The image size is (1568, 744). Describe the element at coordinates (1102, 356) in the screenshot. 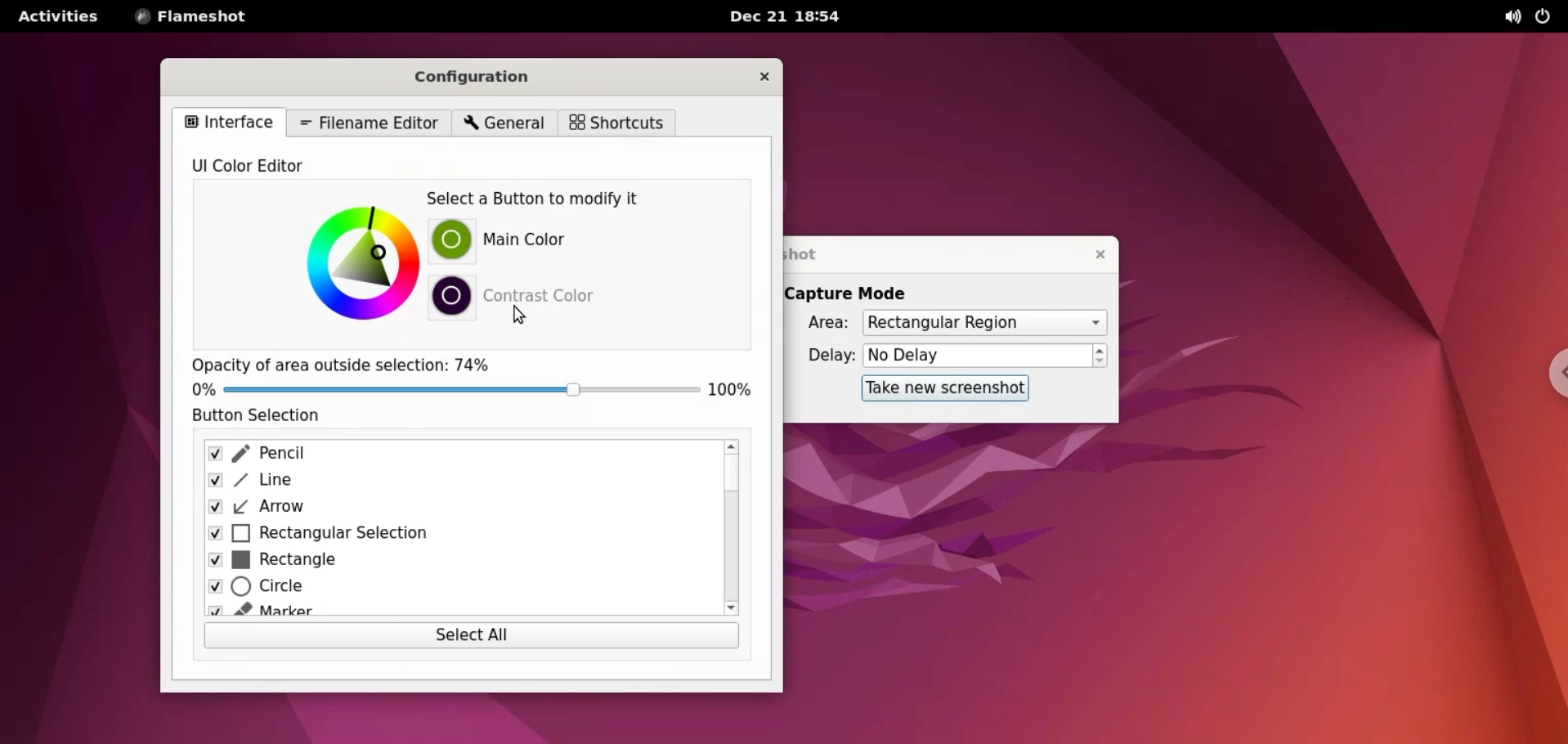

I see `increment or decrement delay ` at that location.